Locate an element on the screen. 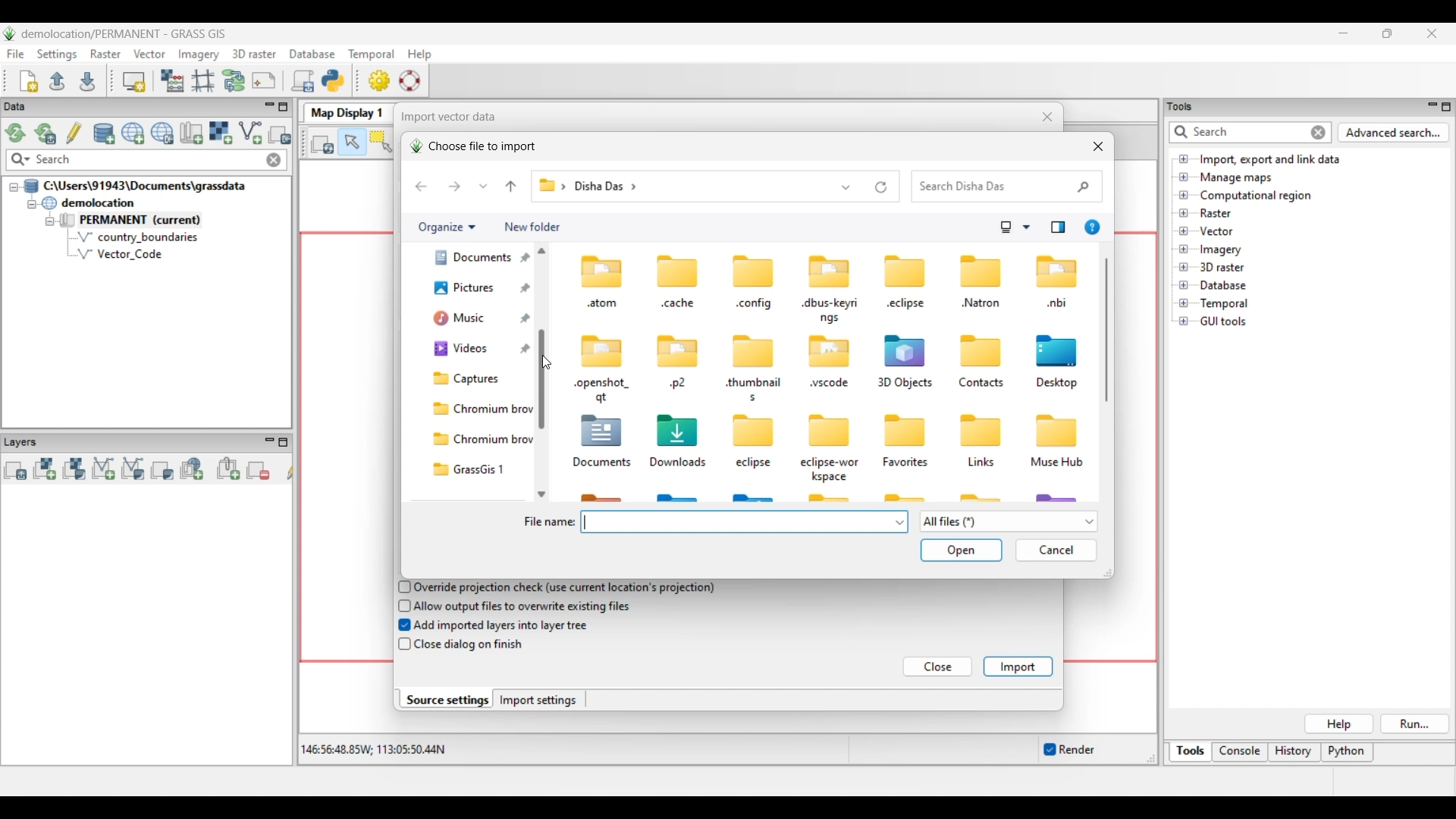  Natron is located at coordinates (981, 303).